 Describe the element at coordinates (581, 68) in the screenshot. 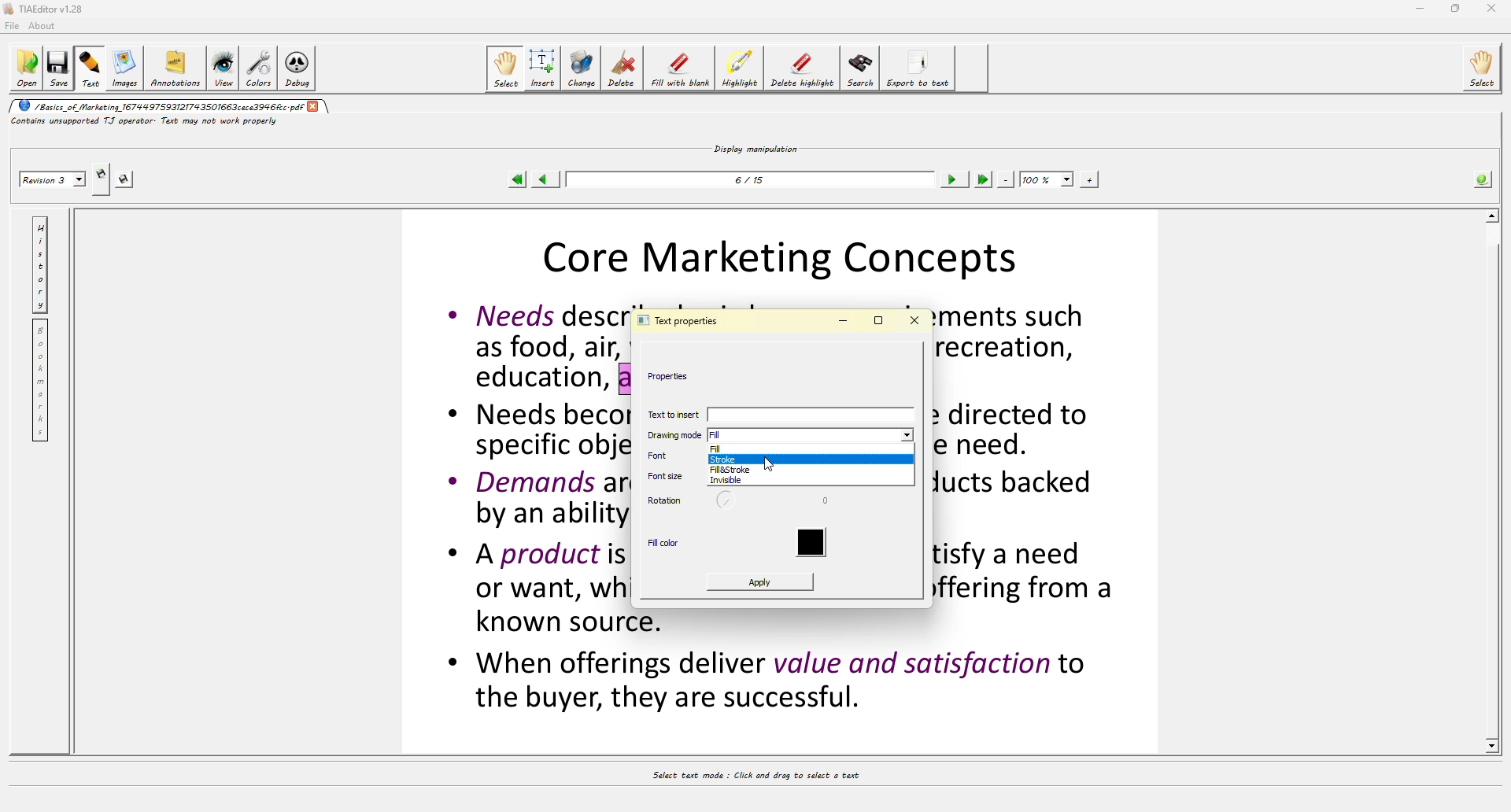

I see `change` at that location.